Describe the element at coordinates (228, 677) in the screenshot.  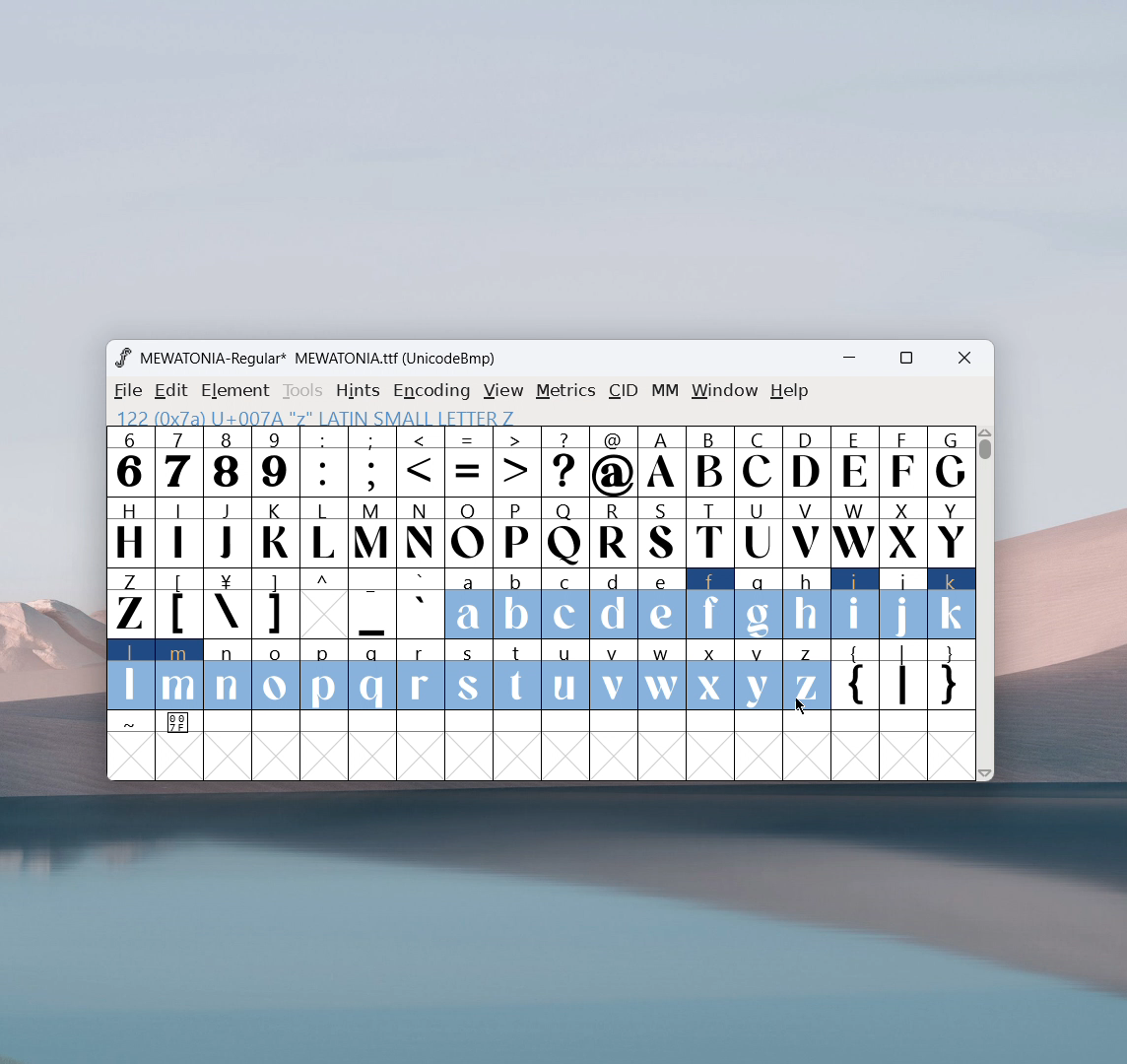
I see `n` at that location.